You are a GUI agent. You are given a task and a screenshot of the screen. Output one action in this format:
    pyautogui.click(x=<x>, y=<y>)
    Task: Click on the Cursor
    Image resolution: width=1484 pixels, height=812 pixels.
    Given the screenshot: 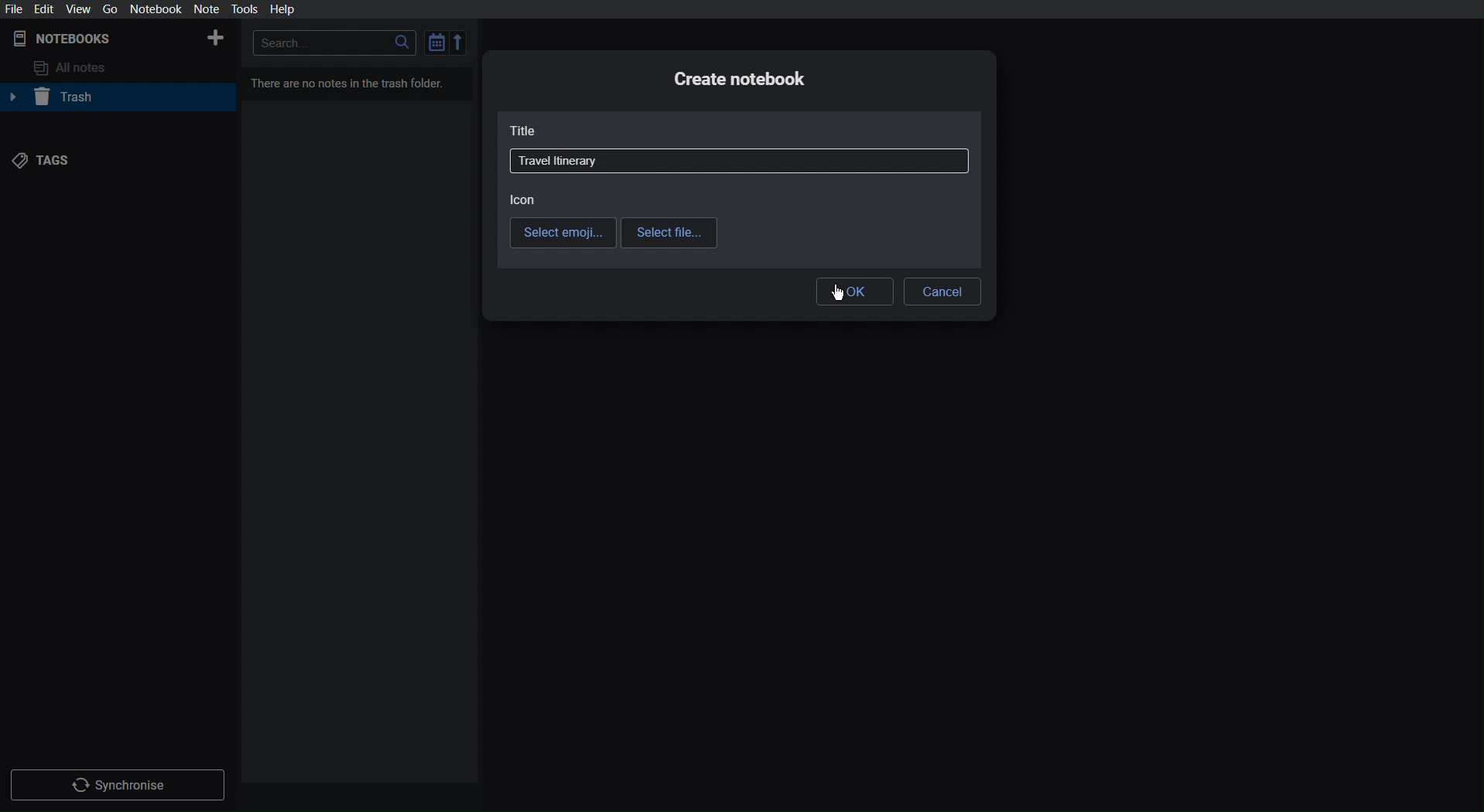 What is the action you would take?
    pyautogui.click(x=833, y=293)
    